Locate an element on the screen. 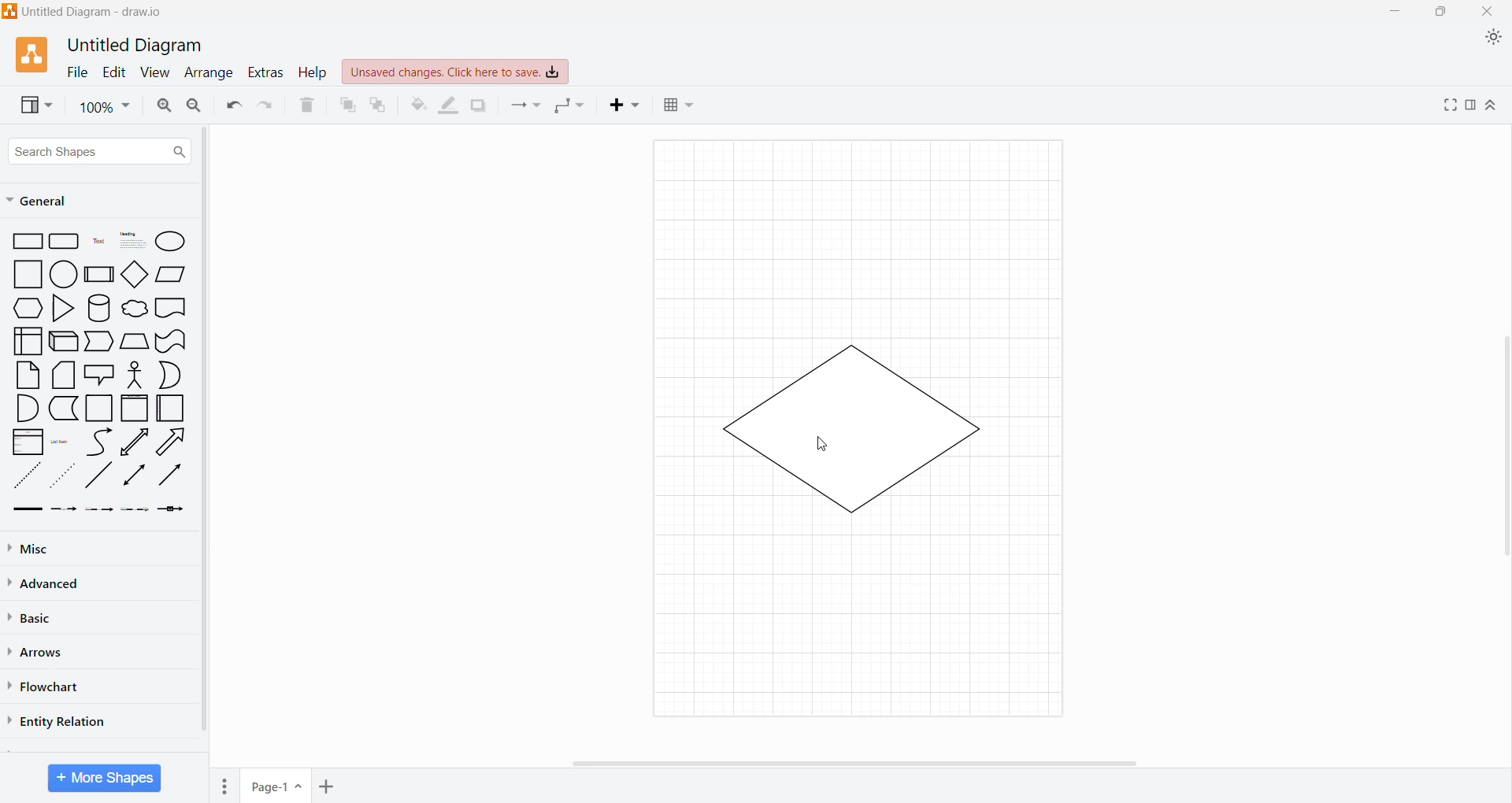  List Item is located at coordinates (61, 442).